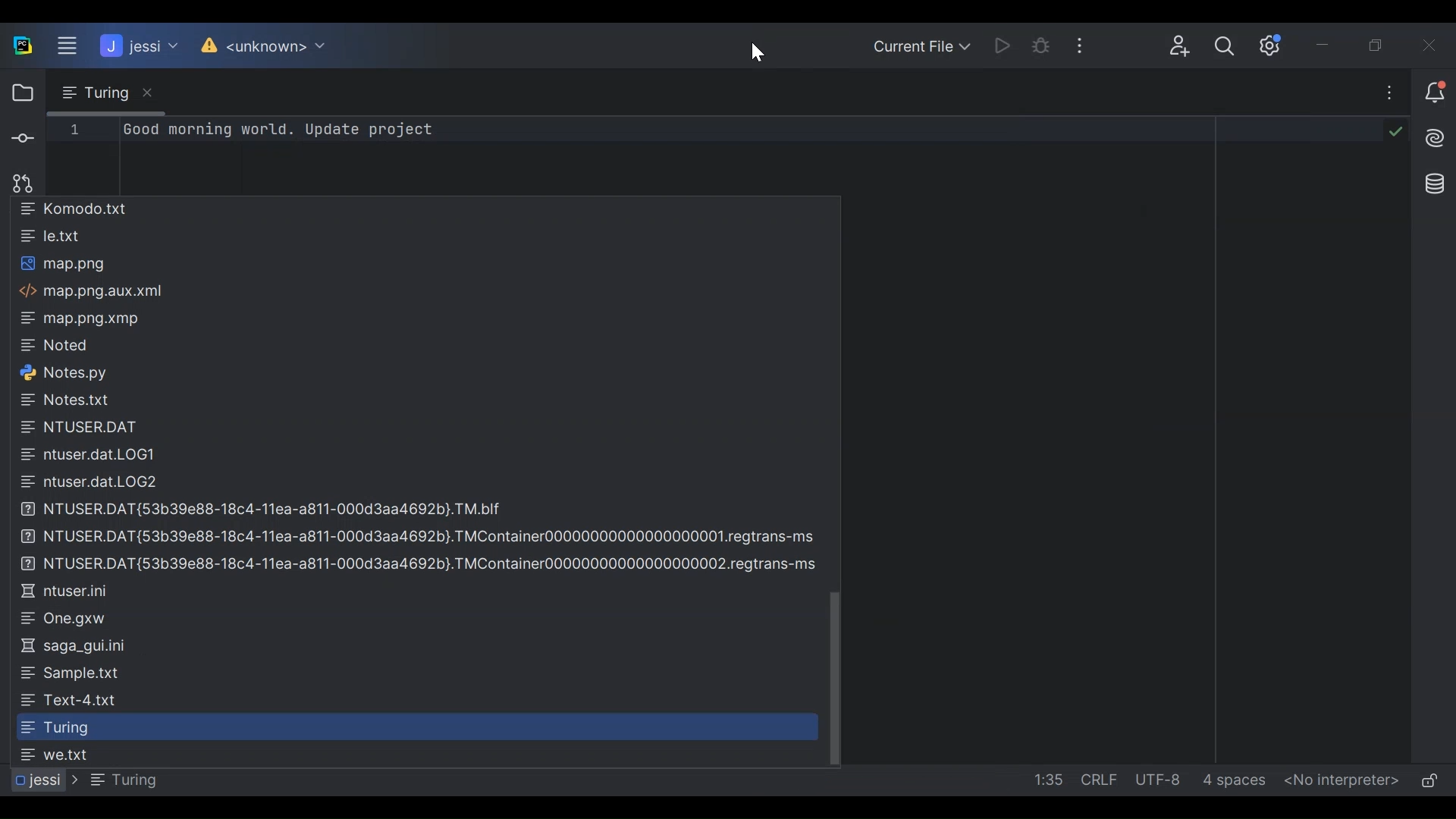 Image resolution: width=1456 pixels, height=819 pixels. What do you see at coordinates (1431, 182) in the screenshot?
I see `Database` at bounding box center [1431, 182].